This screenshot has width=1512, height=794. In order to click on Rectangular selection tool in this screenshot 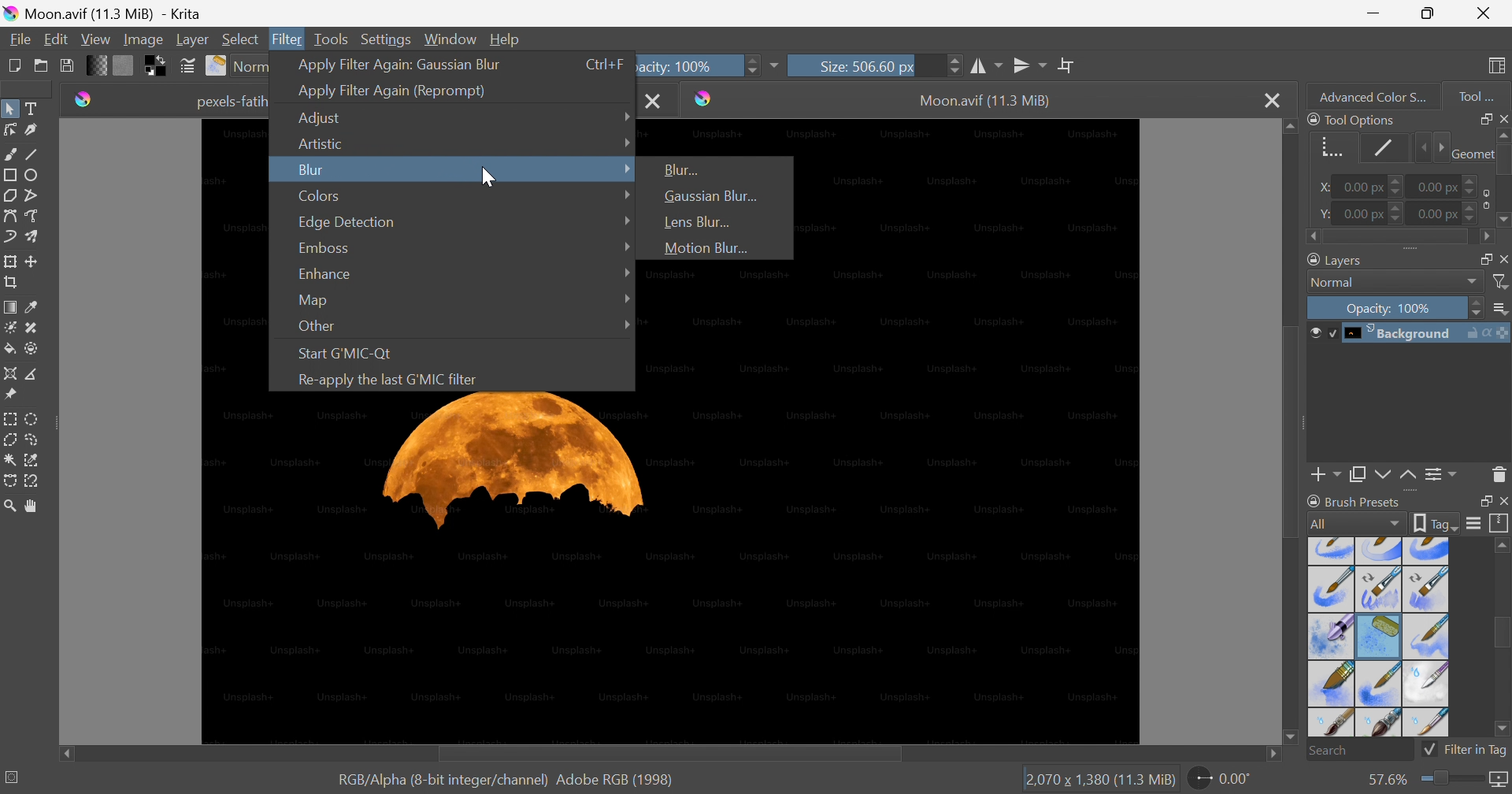, I will do `click(12, 419)`.